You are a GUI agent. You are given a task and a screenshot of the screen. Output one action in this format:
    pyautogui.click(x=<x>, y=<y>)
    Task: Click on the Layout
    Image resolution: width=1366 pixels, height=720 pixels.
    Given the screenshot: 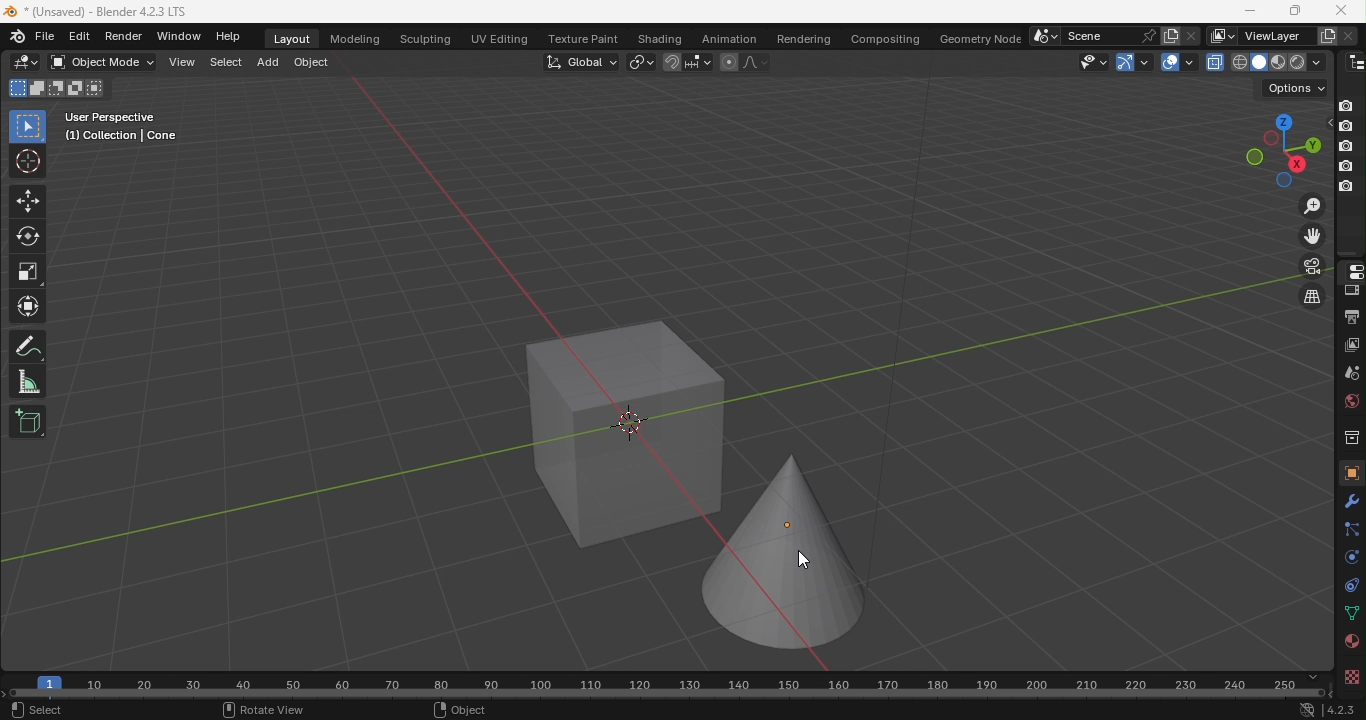 What is the action you would take?
    pyautogui.click(x=293, y=39)
    